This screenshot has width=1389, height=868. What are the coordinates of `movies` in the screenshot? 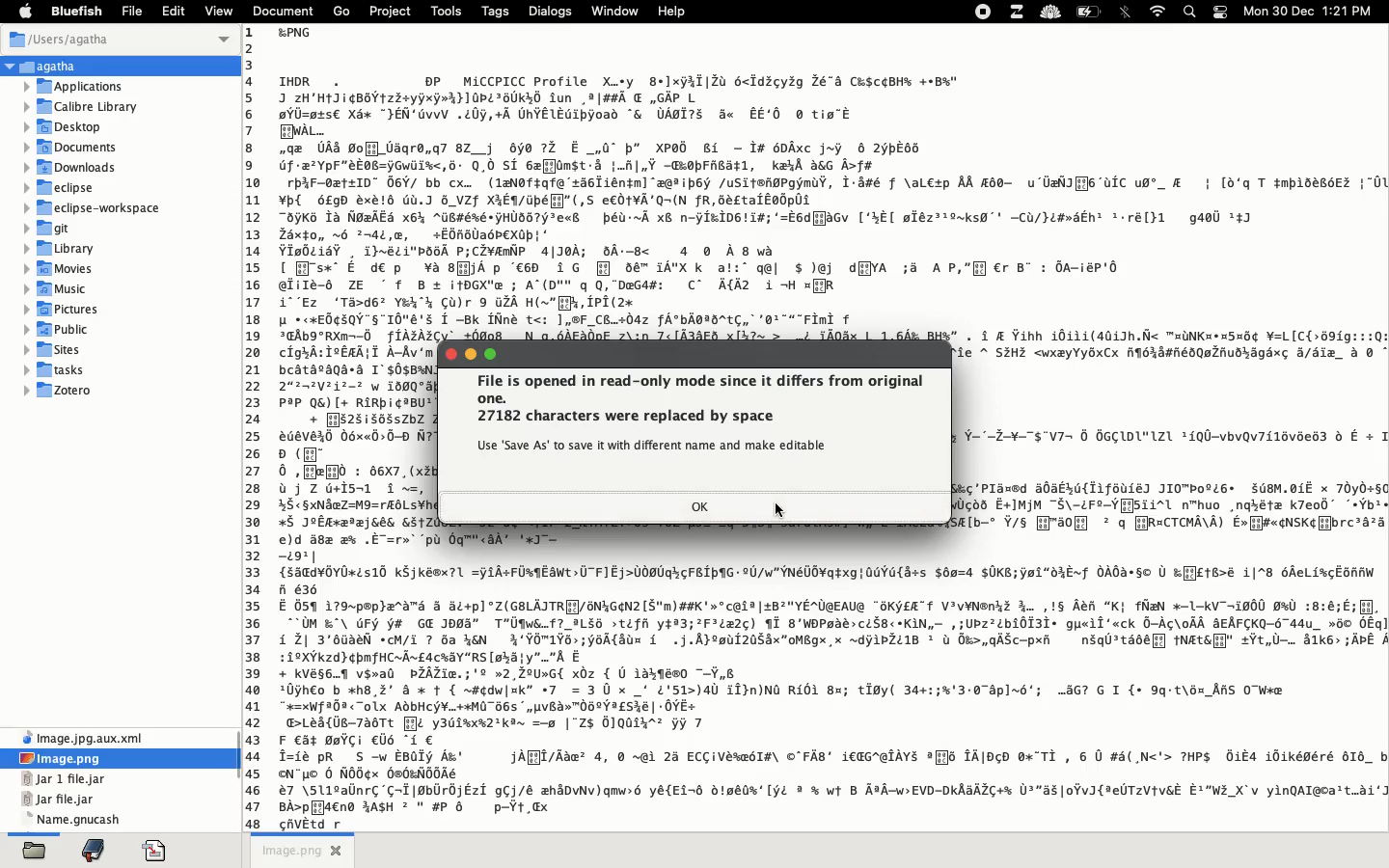 It's located at (59, 268).